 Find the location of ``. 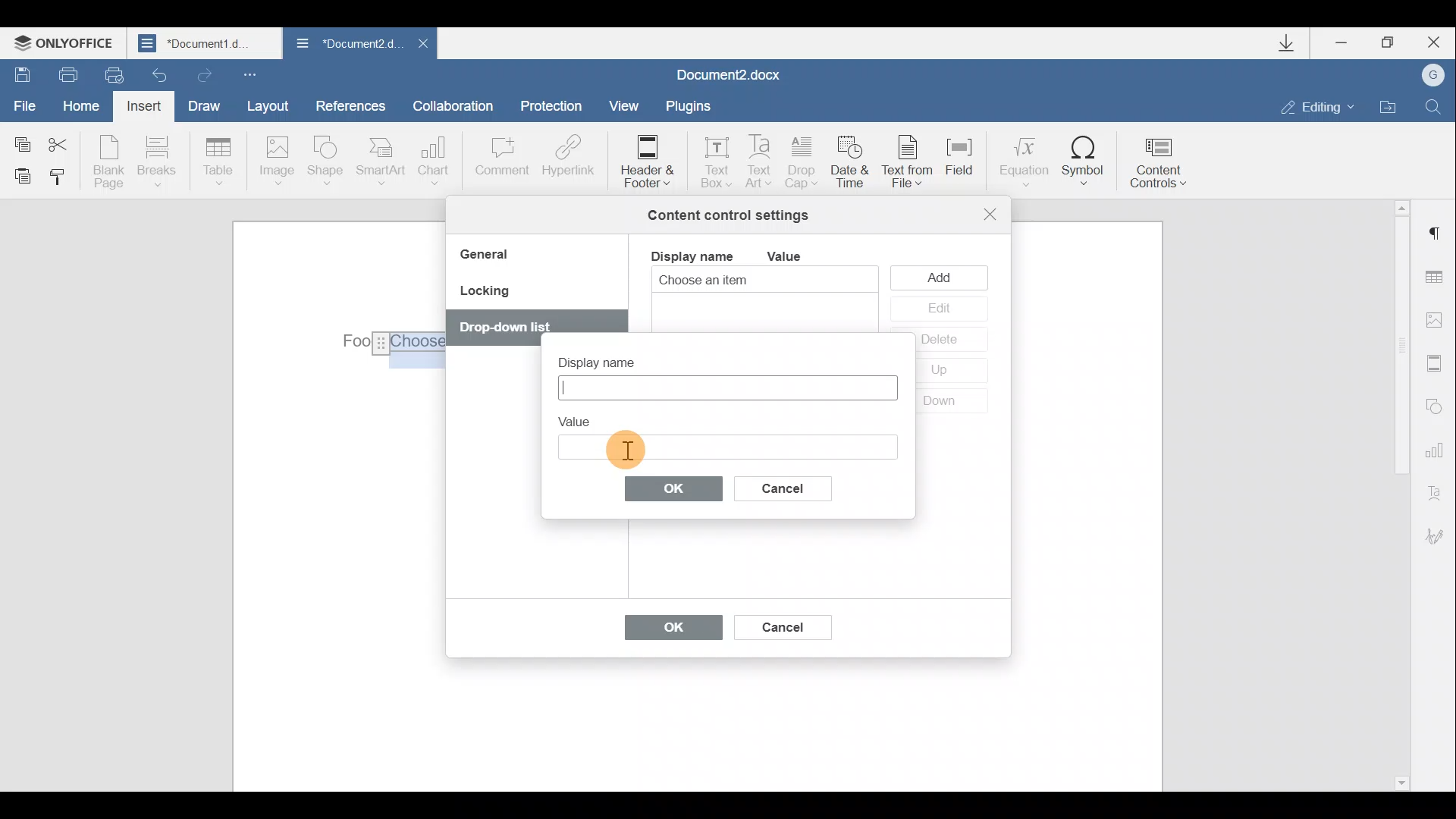

 is located at coordinates (504, 328).